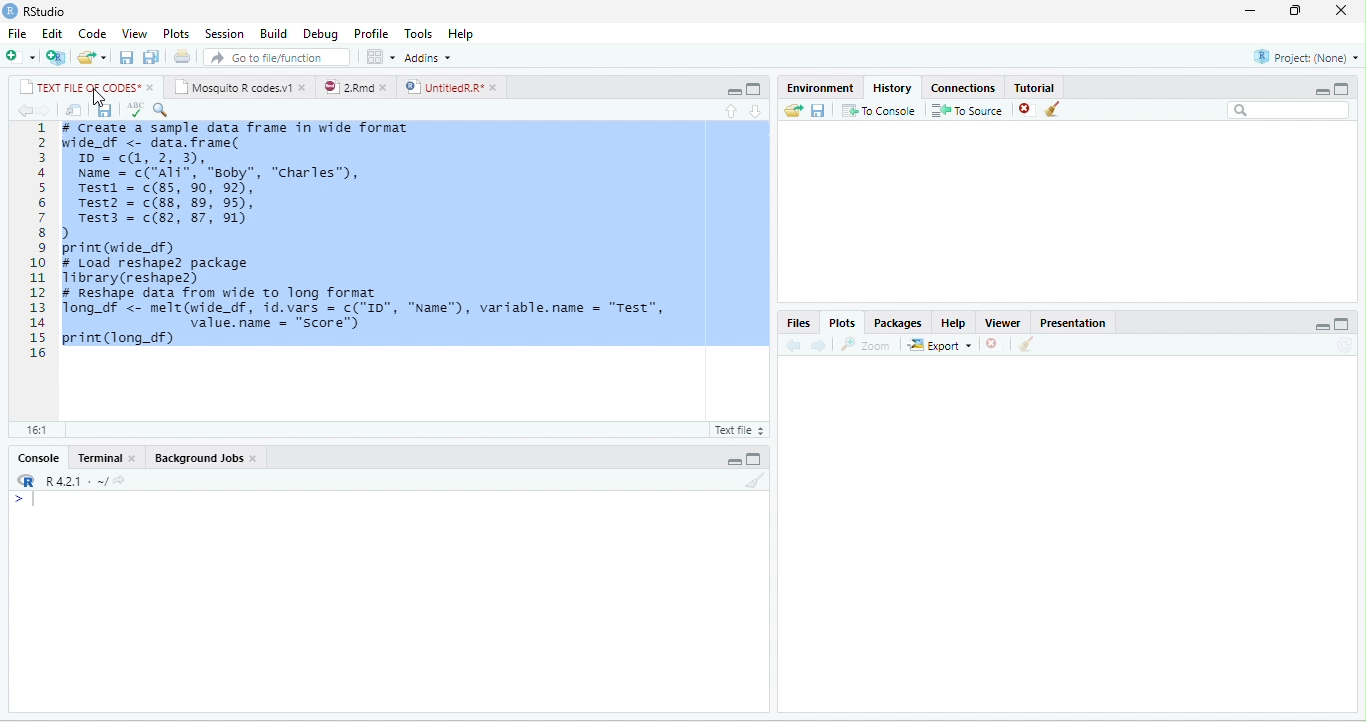 The width and height of the screenshot is (1366, 722). I want to click on Project(None), so click(1306, 57).